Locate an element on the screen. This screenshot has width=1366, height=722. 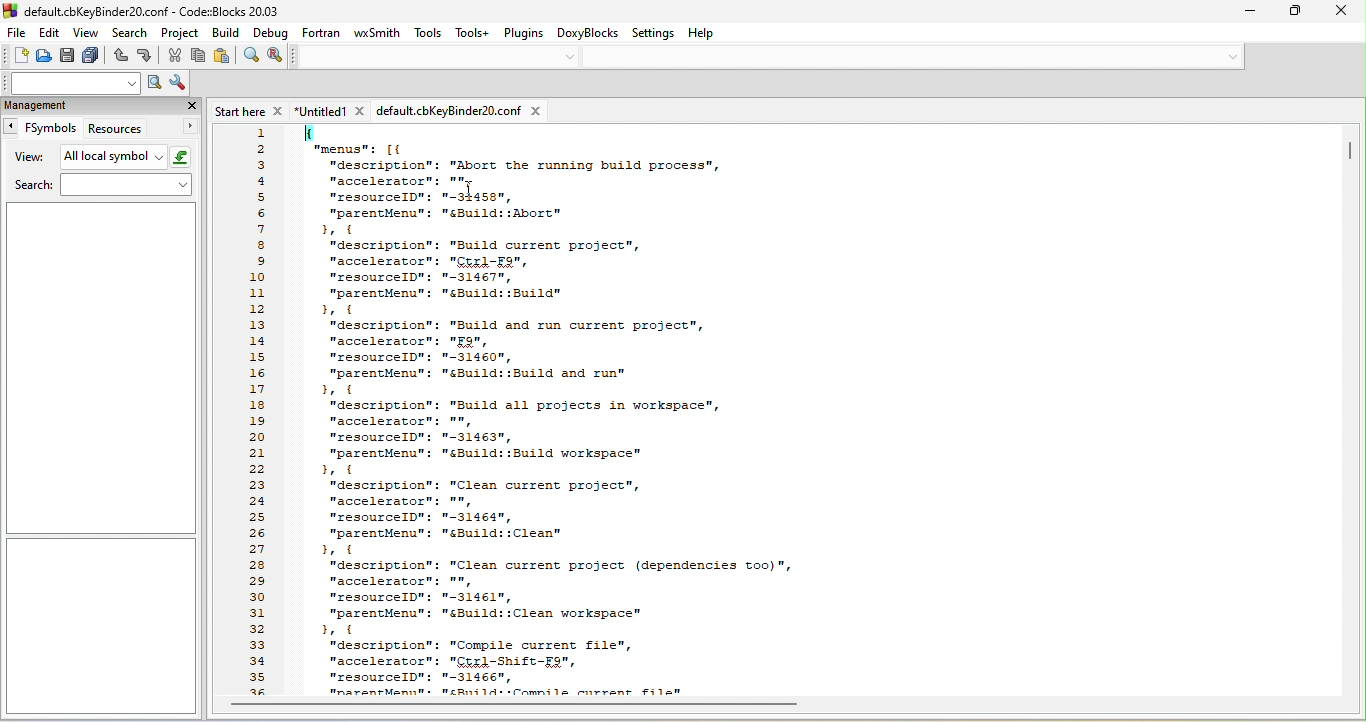
tools is located at coordinates (426, 33).